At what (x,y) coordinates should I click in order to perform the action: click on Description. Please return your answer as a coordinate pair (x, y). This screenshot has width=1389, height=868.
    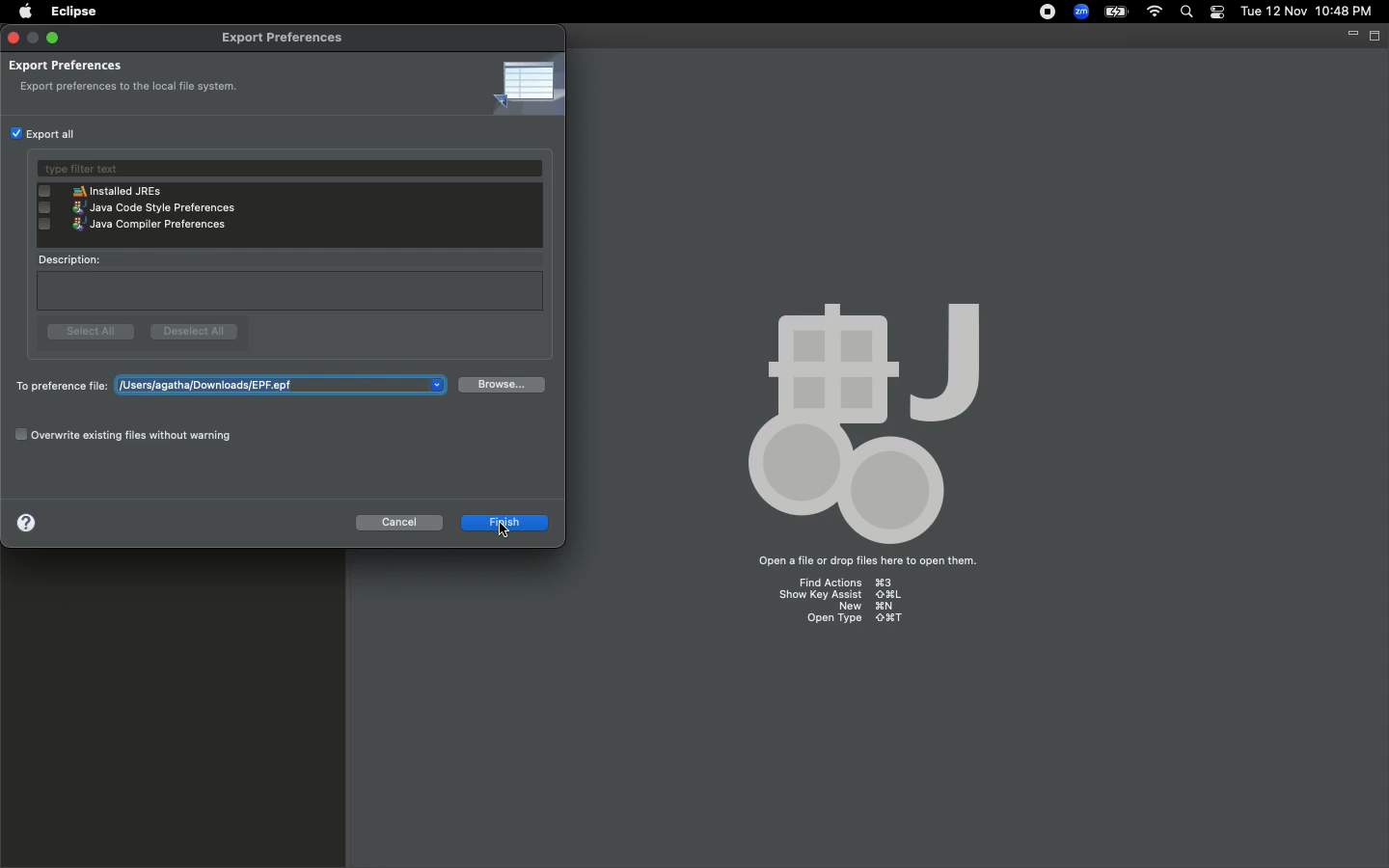
    Looking at the image, I should click on (289, 281).